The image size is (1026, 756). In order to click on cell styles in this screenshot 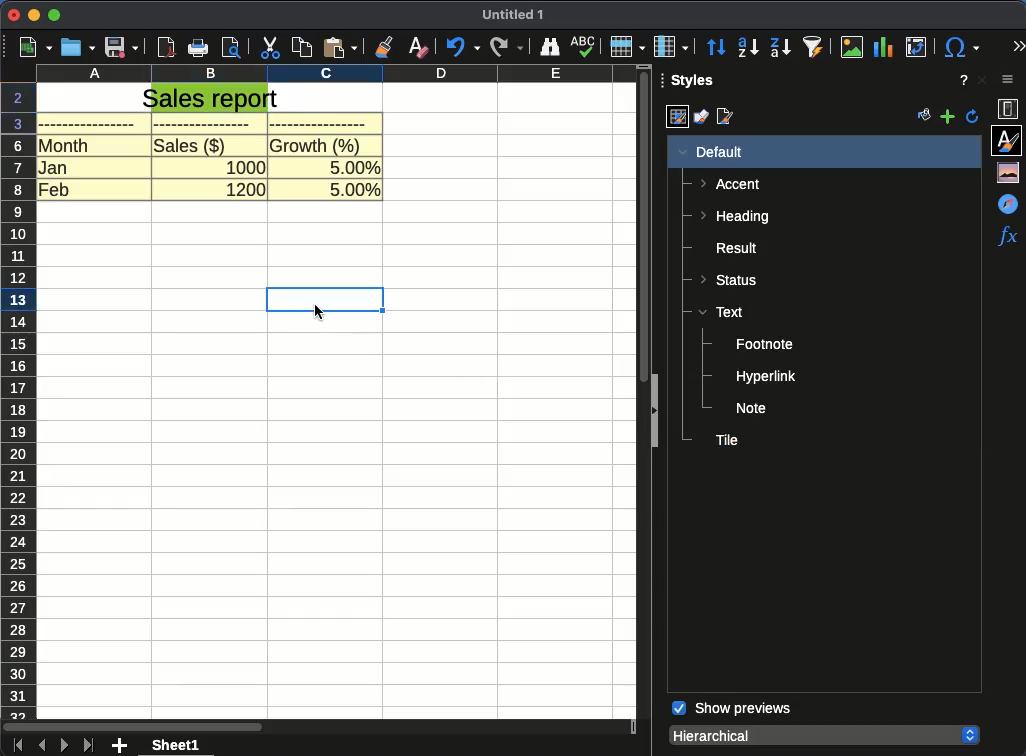, I will do `click(677, 118)`.